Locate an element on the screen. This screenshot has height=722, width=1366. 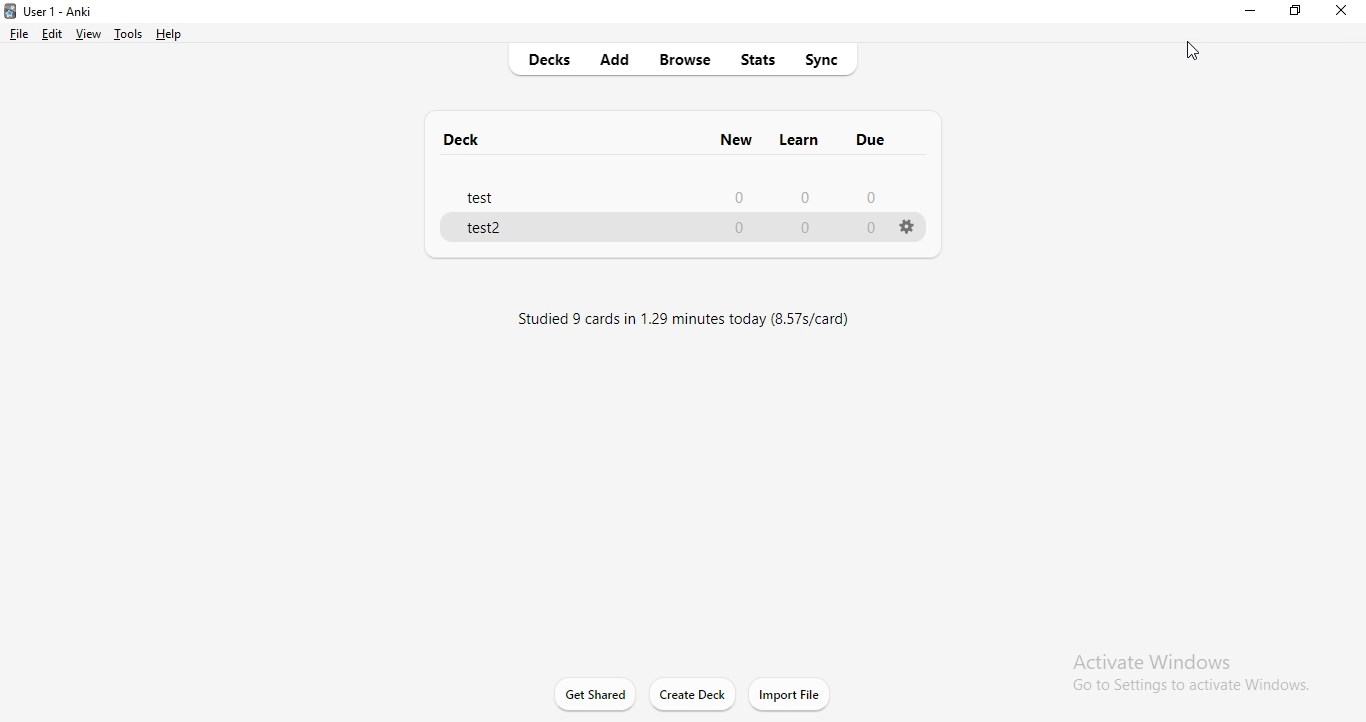
0 is located at coordinates (874, 194).